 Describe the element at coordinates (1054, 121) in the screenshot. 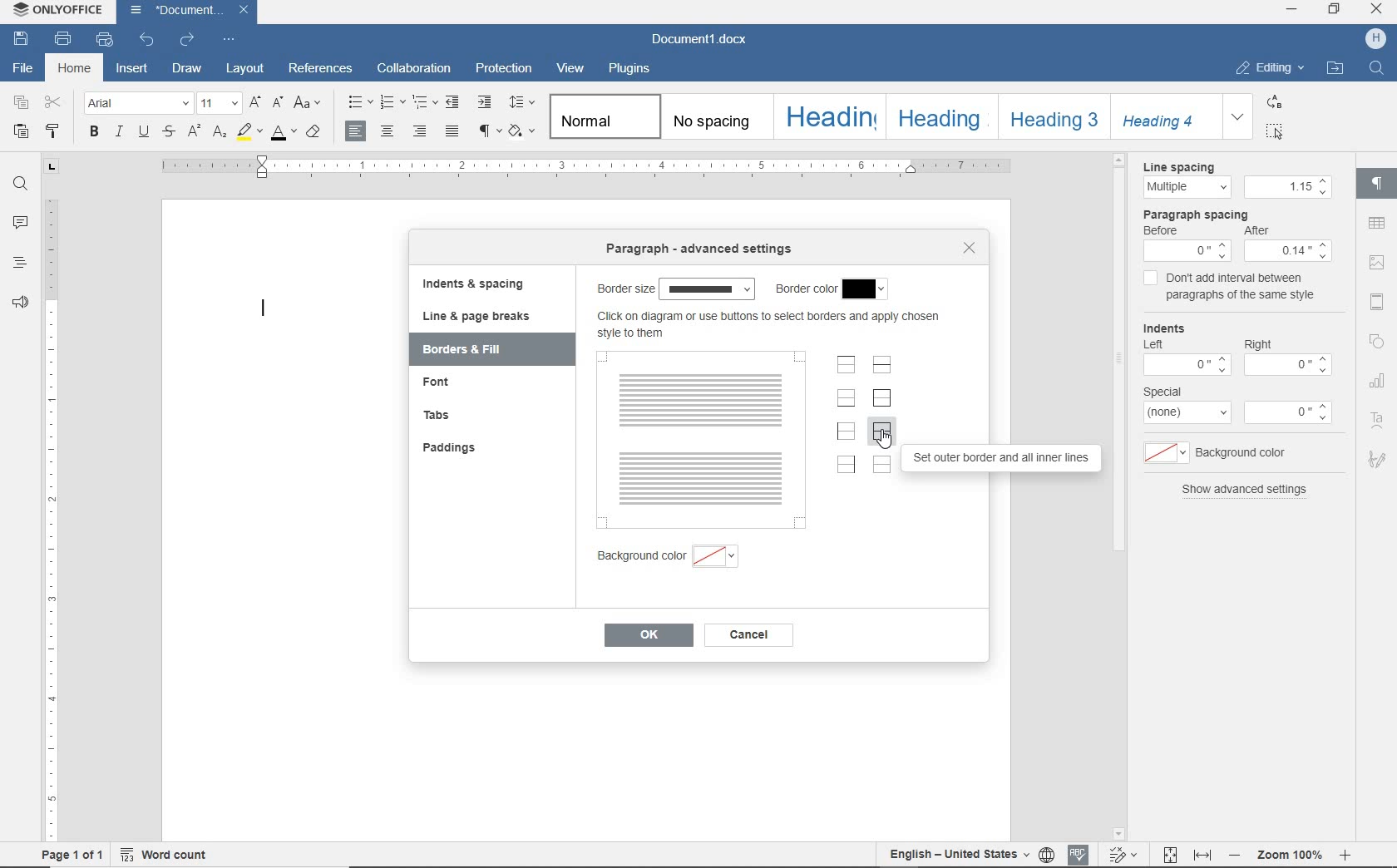

I see `heading3` at that location.